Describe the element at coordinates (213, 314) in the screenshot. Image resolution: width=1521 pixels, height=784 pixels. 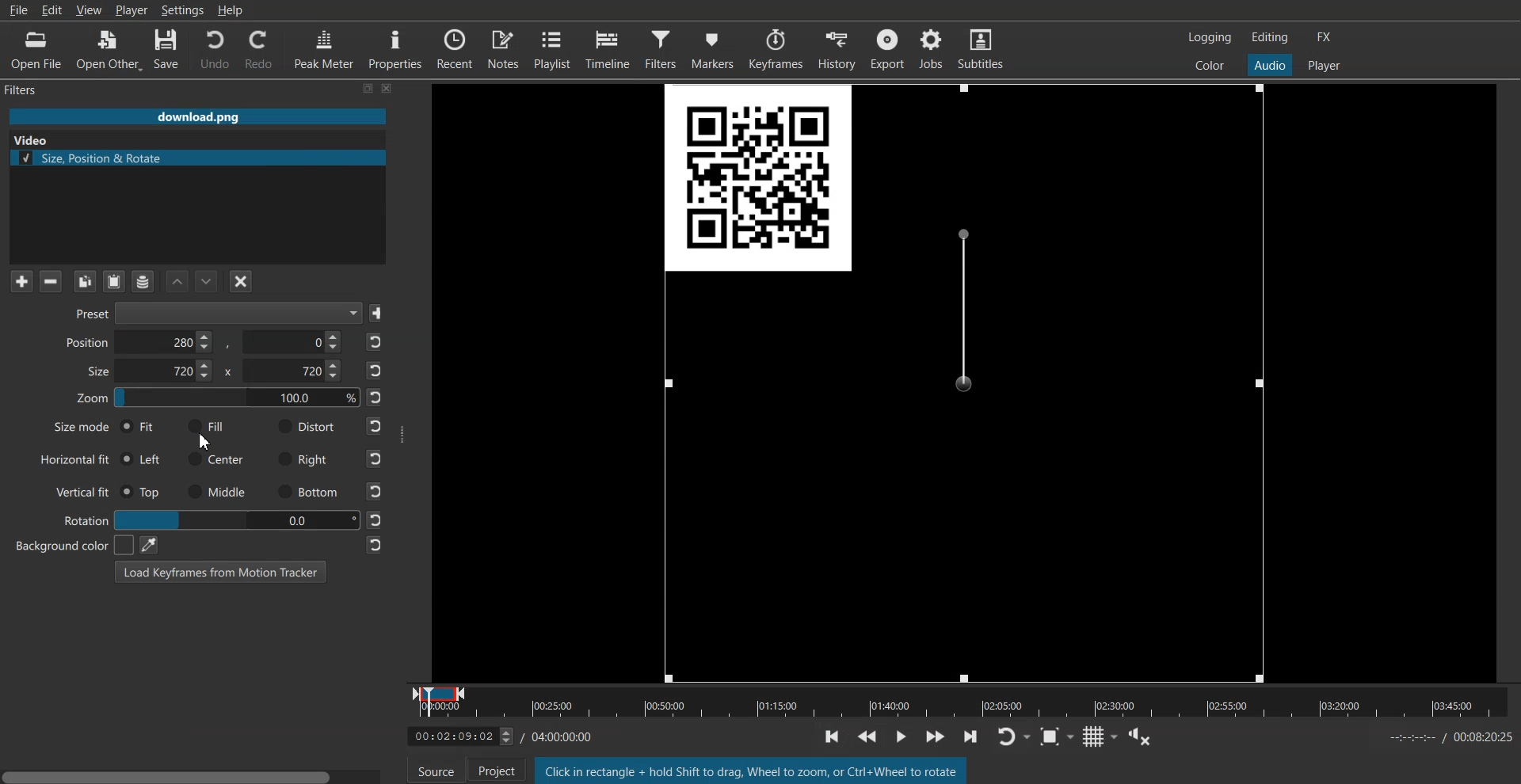
I see `Preset` at that location.